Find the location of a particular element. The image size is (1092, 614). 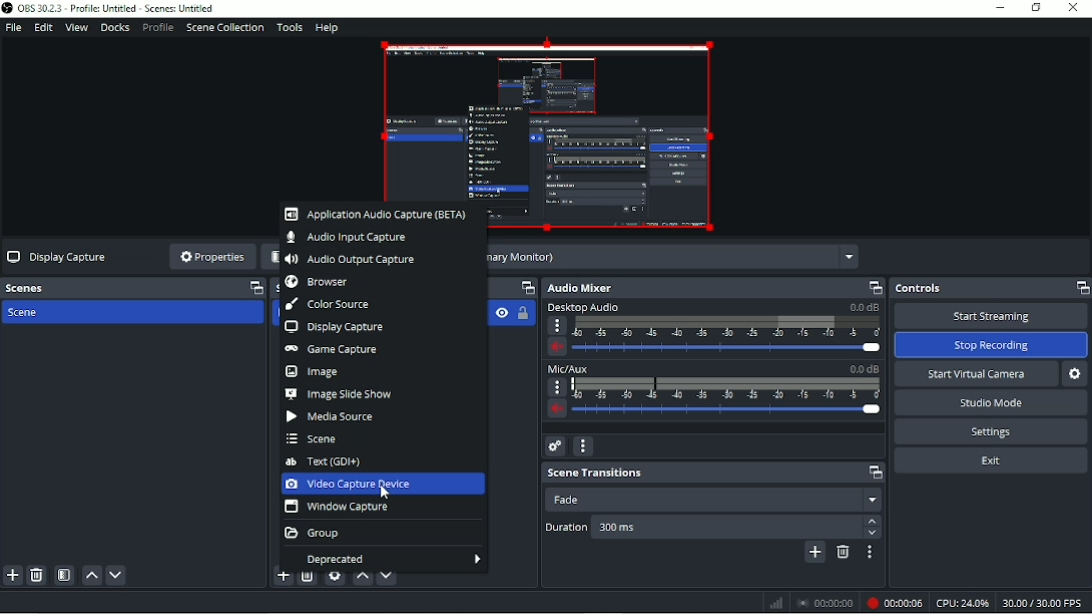

Move scene down is located at coordinates (116, 577).